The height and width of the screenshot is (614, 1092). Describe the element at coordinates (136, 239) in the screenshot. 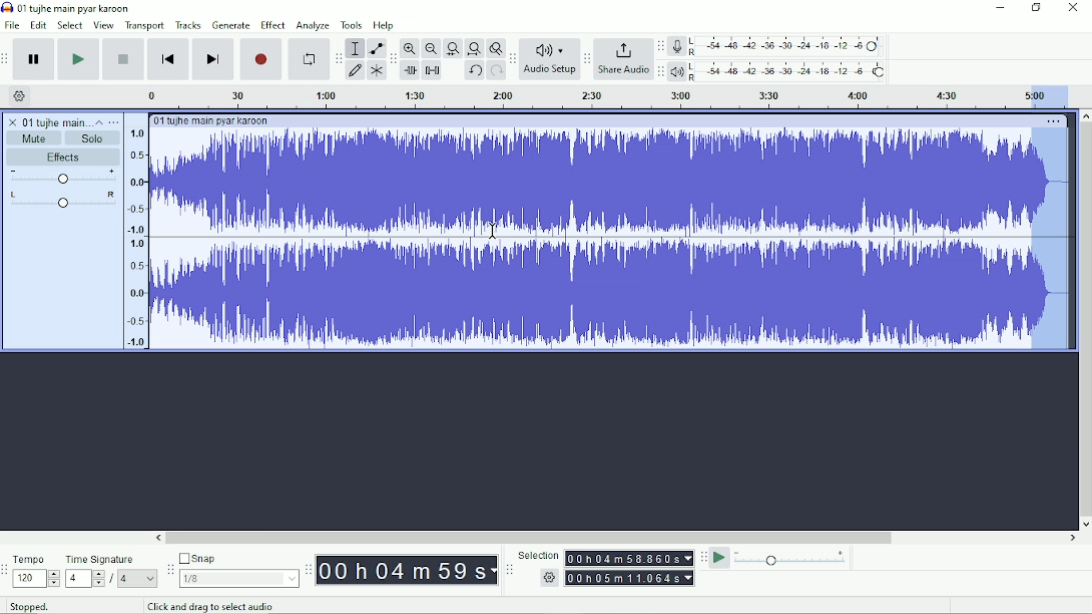

I see `amplitude scale` at that location.